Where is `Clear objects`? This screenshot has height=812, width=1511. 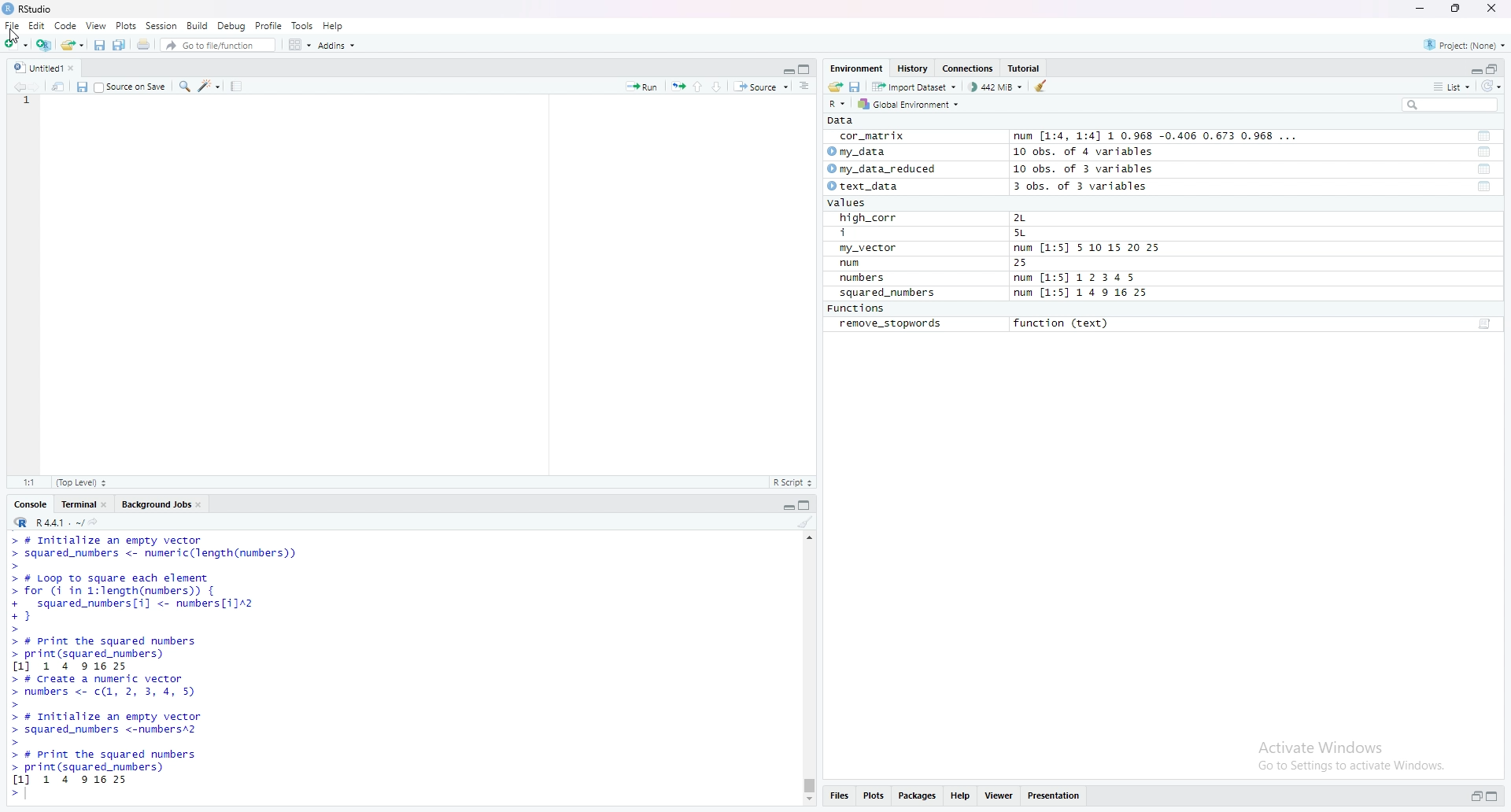 Clear objects is located at coordinates (1044, 87).